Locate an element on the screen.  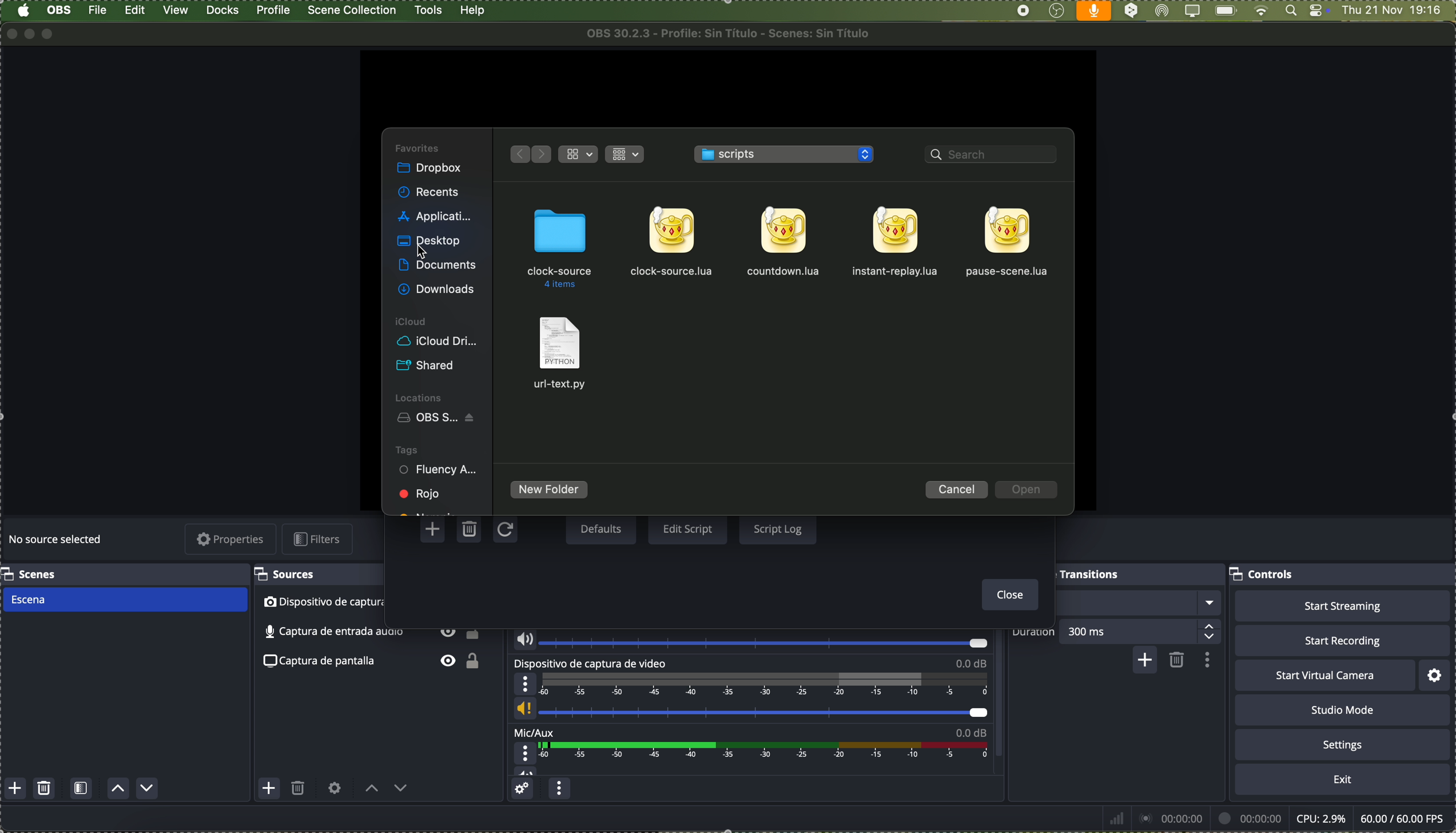
cancel button is located at coordinates (957, 489).